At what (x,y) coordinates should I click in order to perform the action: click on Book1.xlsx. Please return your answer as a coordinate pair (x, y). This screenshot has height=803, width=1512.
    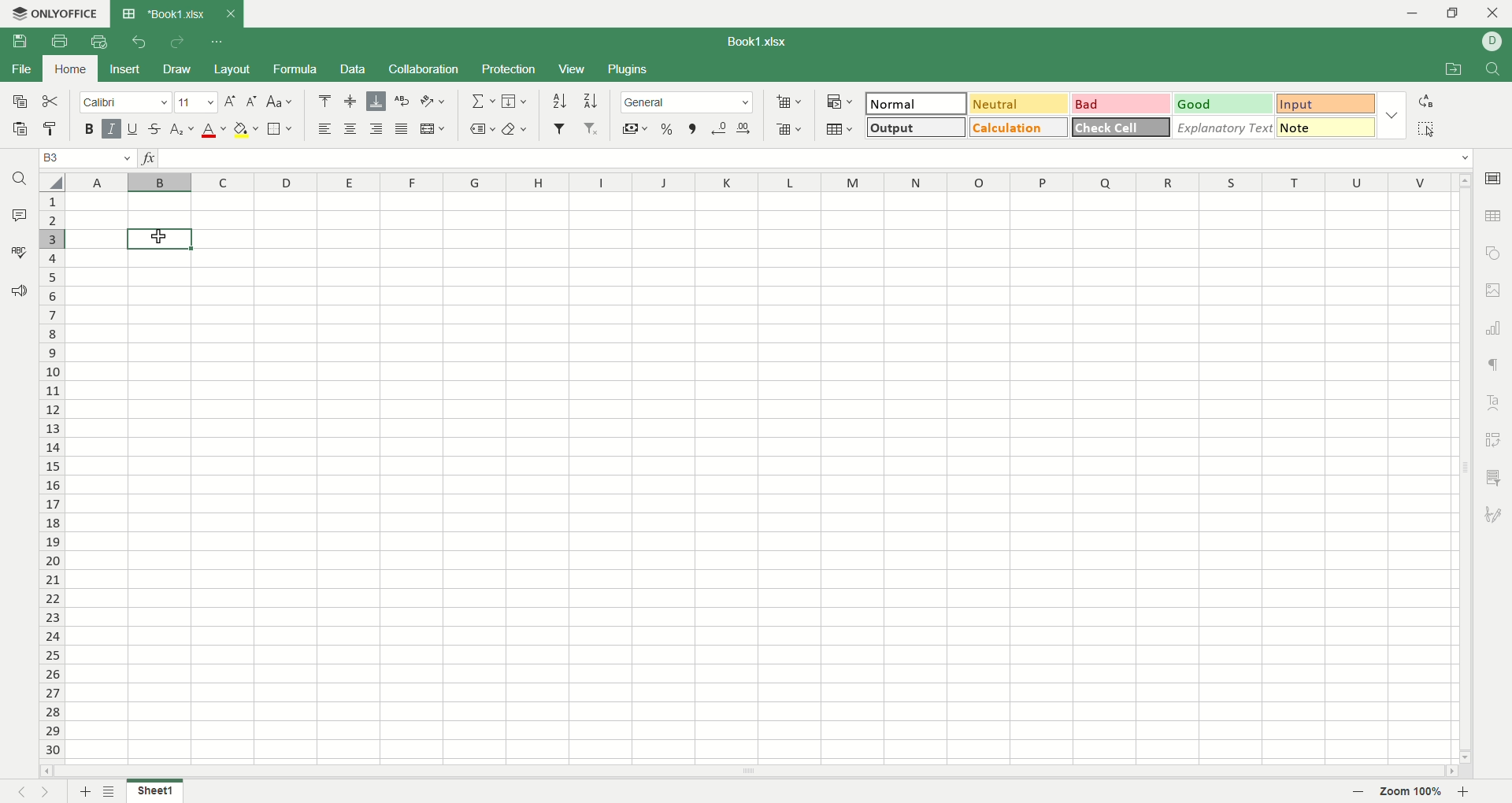
    Looking at the image, I should click on (760, 41).